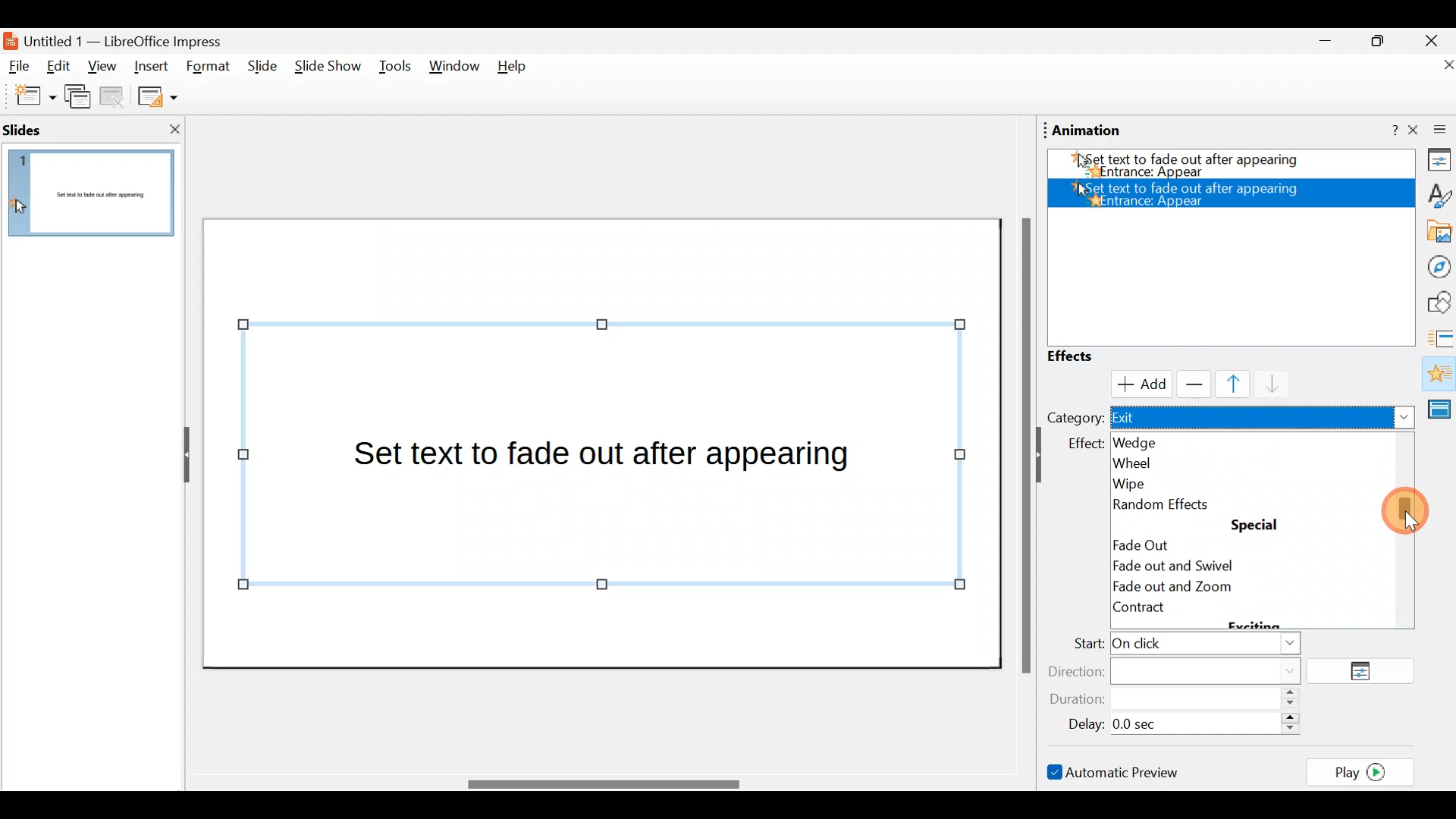 The width and height of the screenshot is (1456, 819). I want to click on Hide, so click(180, 456).